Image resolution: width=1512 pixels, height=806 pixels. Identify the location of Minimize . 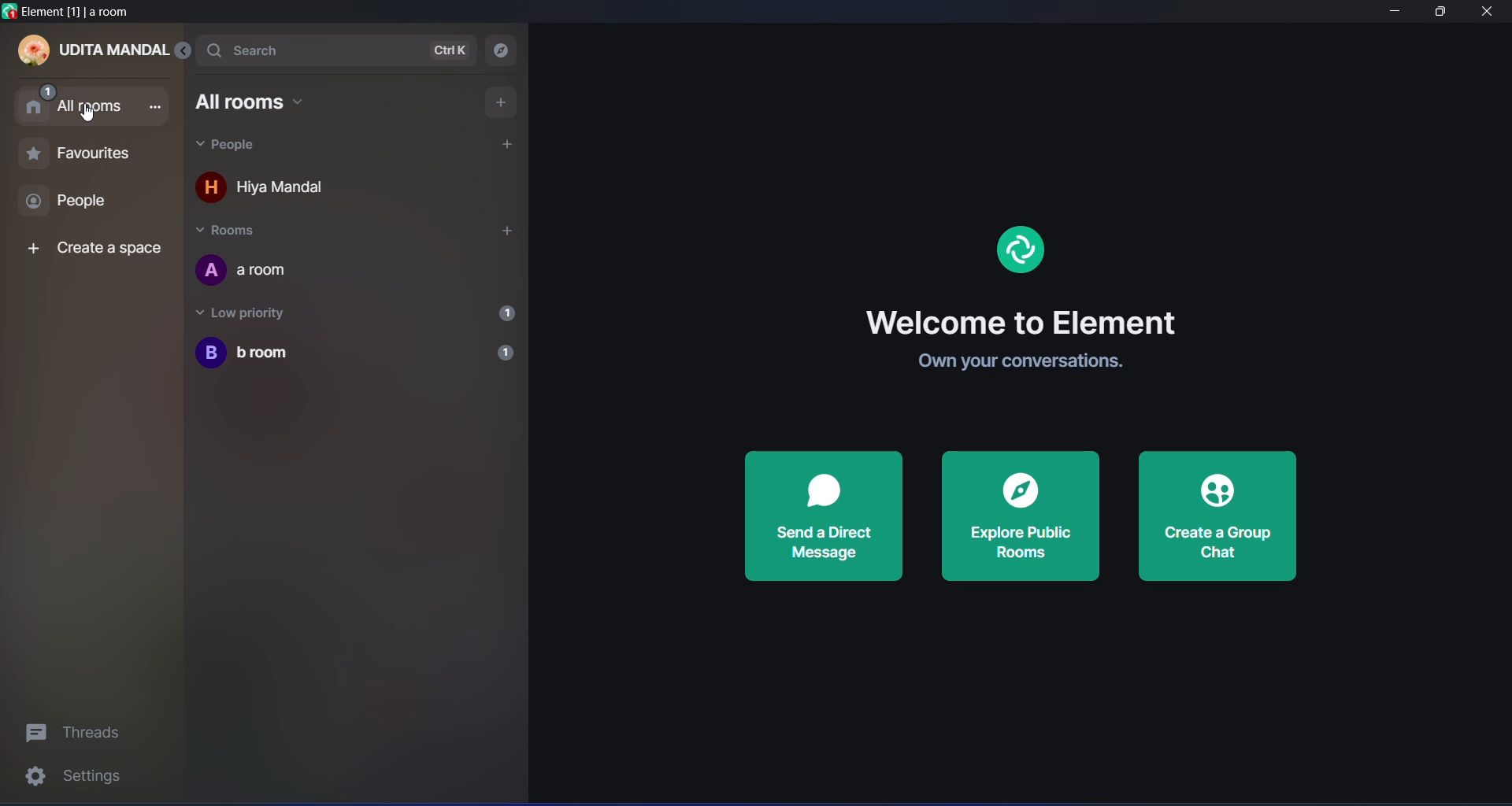
(1392, 13).